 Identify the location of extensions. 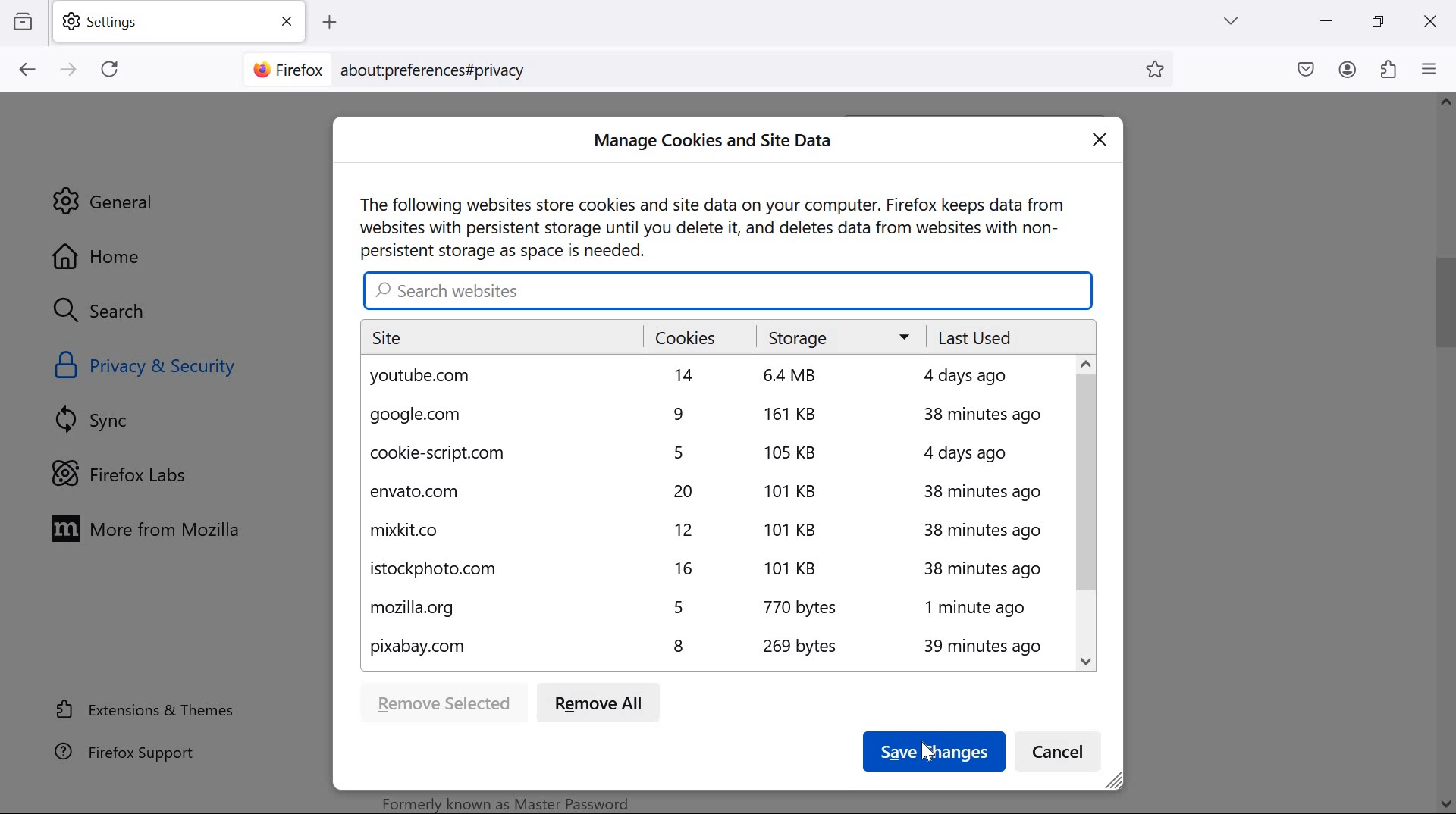
(1389, 68).